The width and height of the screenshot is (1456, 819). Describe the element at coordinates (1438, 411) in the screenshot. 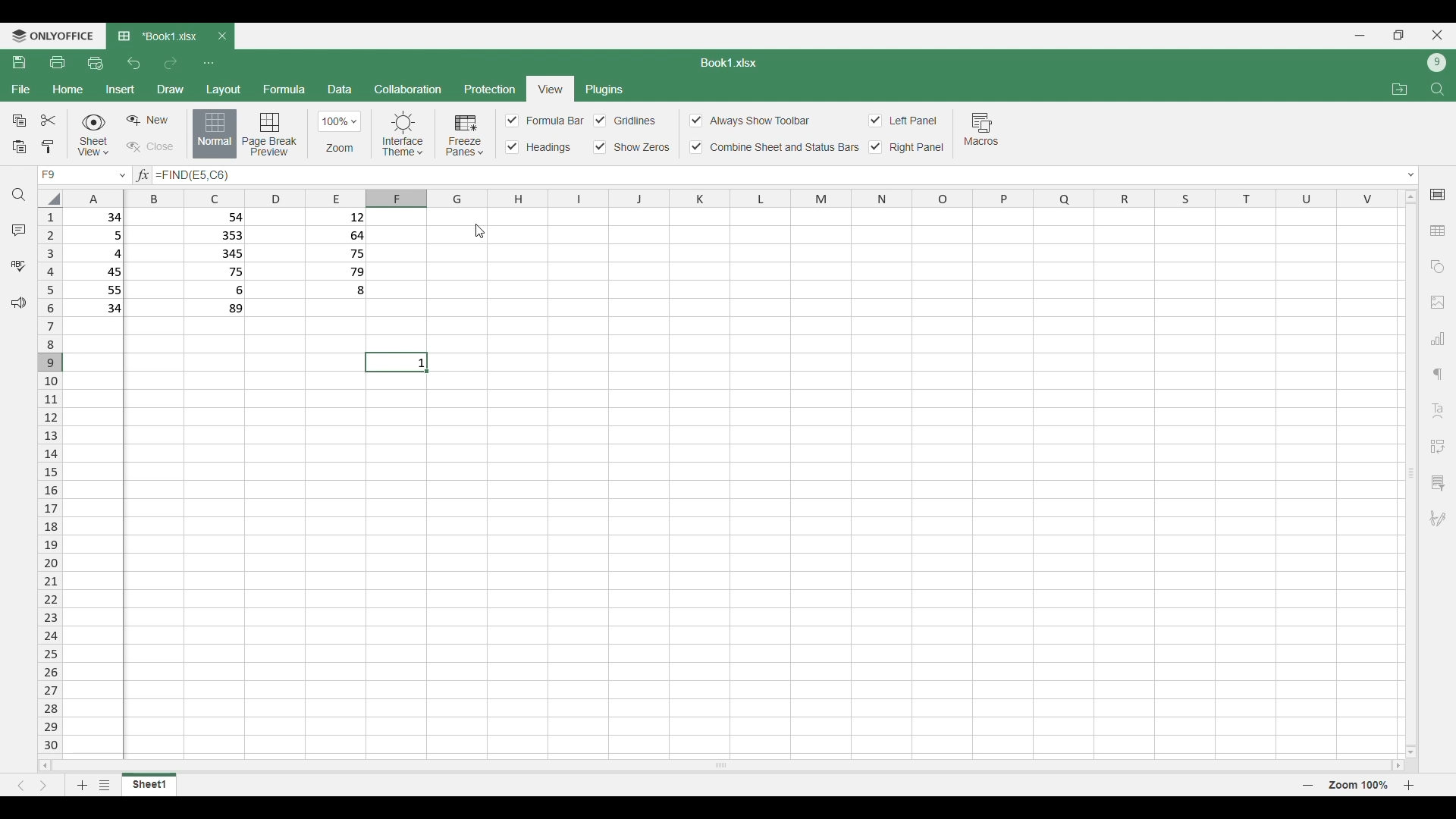

I see `Insert Text art` at that location.